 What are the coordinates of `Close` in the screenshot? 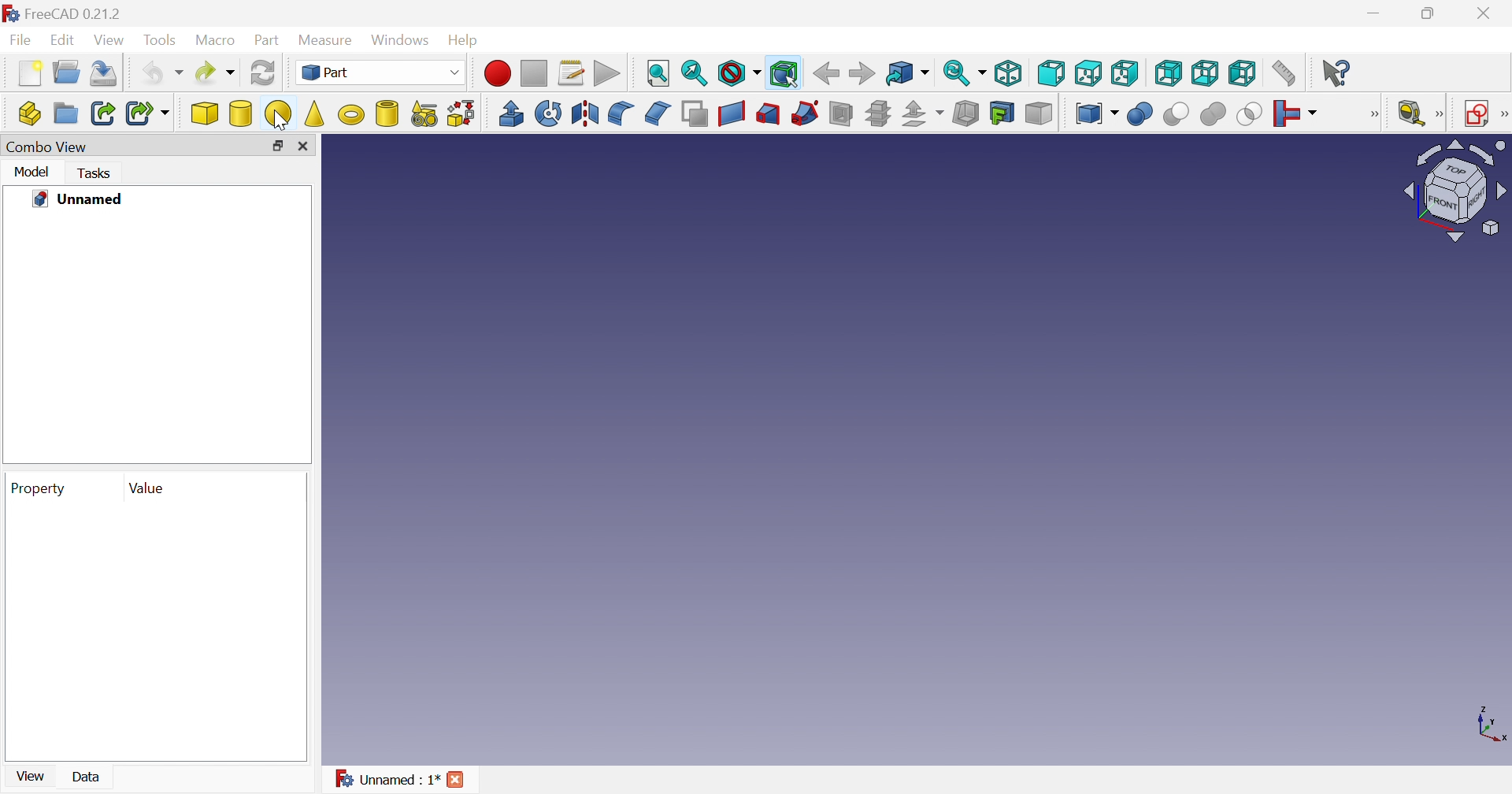 It's located at (306, 147).